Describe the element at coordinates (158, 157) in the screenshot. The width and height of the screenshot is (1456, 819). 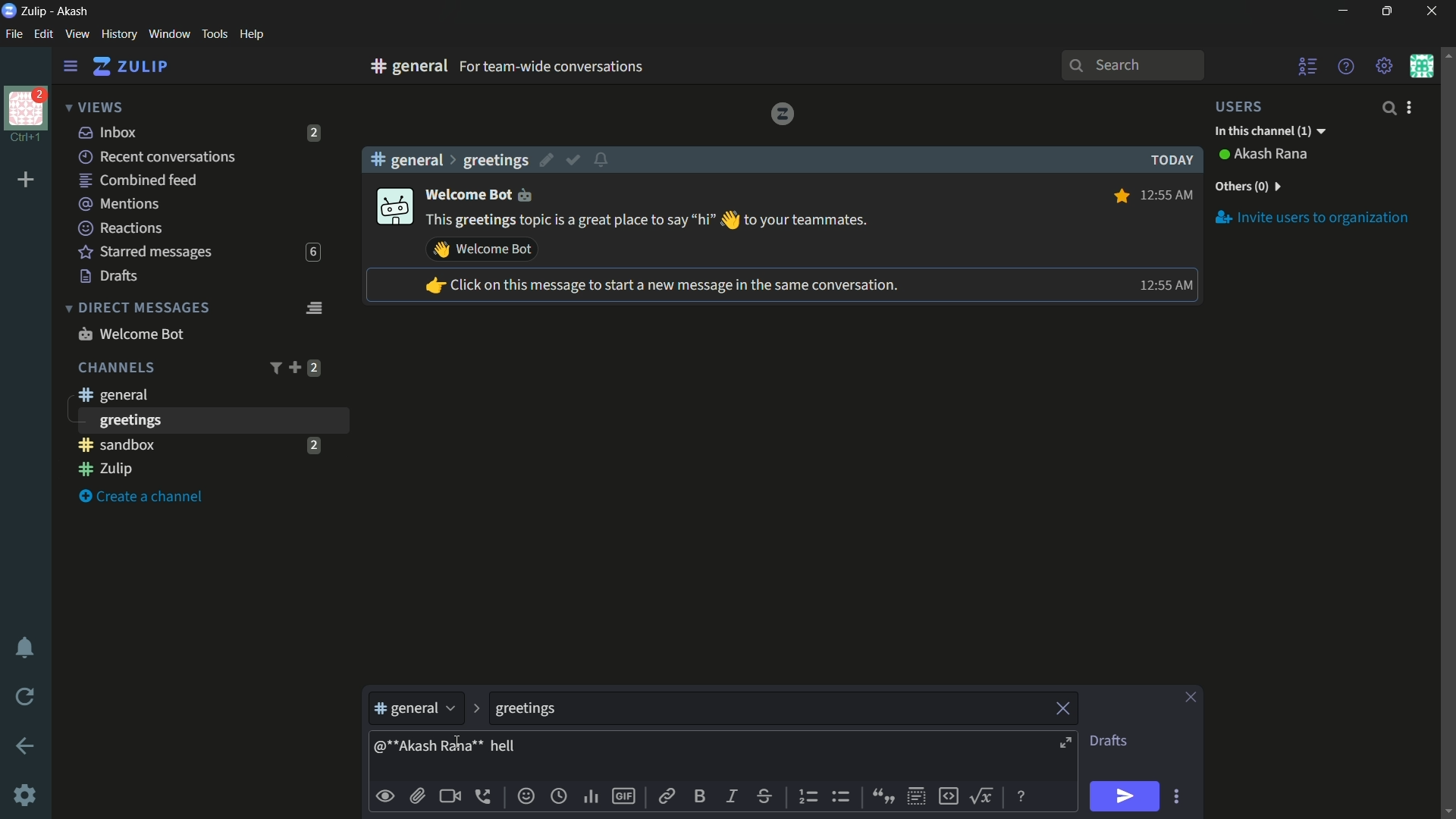
I see `recent conversation` at that location.